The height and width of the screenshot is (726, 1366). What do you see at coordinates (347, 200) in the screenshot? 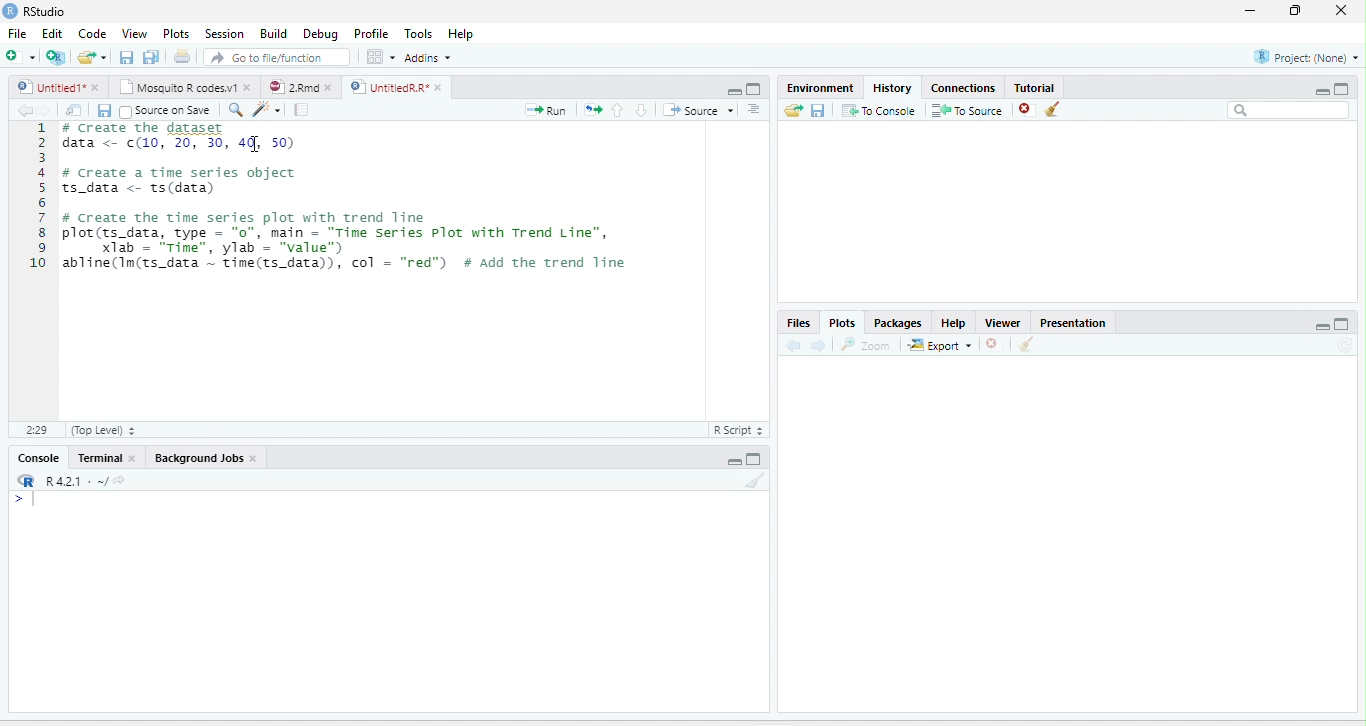
I see `# Create the gataset

data <- (10, 20, 30, 4], 50)

# create a time series object

ts_data <- ts(data)

# create the time series plot with trend line

plot(ts_data, type = “0”, main = "Time series Plot with Trend Line",
X1ab - “rime”, ylab'= “value")

abline(Im(ts_data ~ time(ts_data)), col = "red”) # Add the trend line` at bounding box center [347, 200].